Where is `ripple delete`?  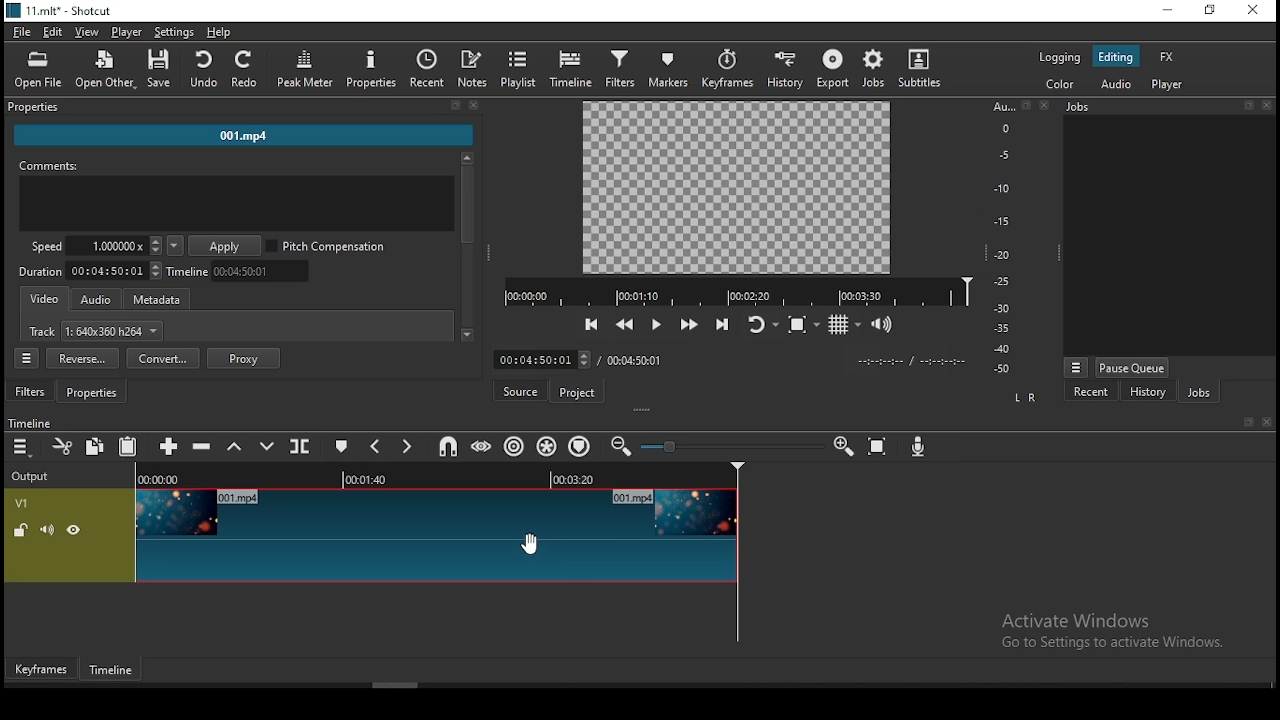 ripple delete is located at coordinates (204, 446).